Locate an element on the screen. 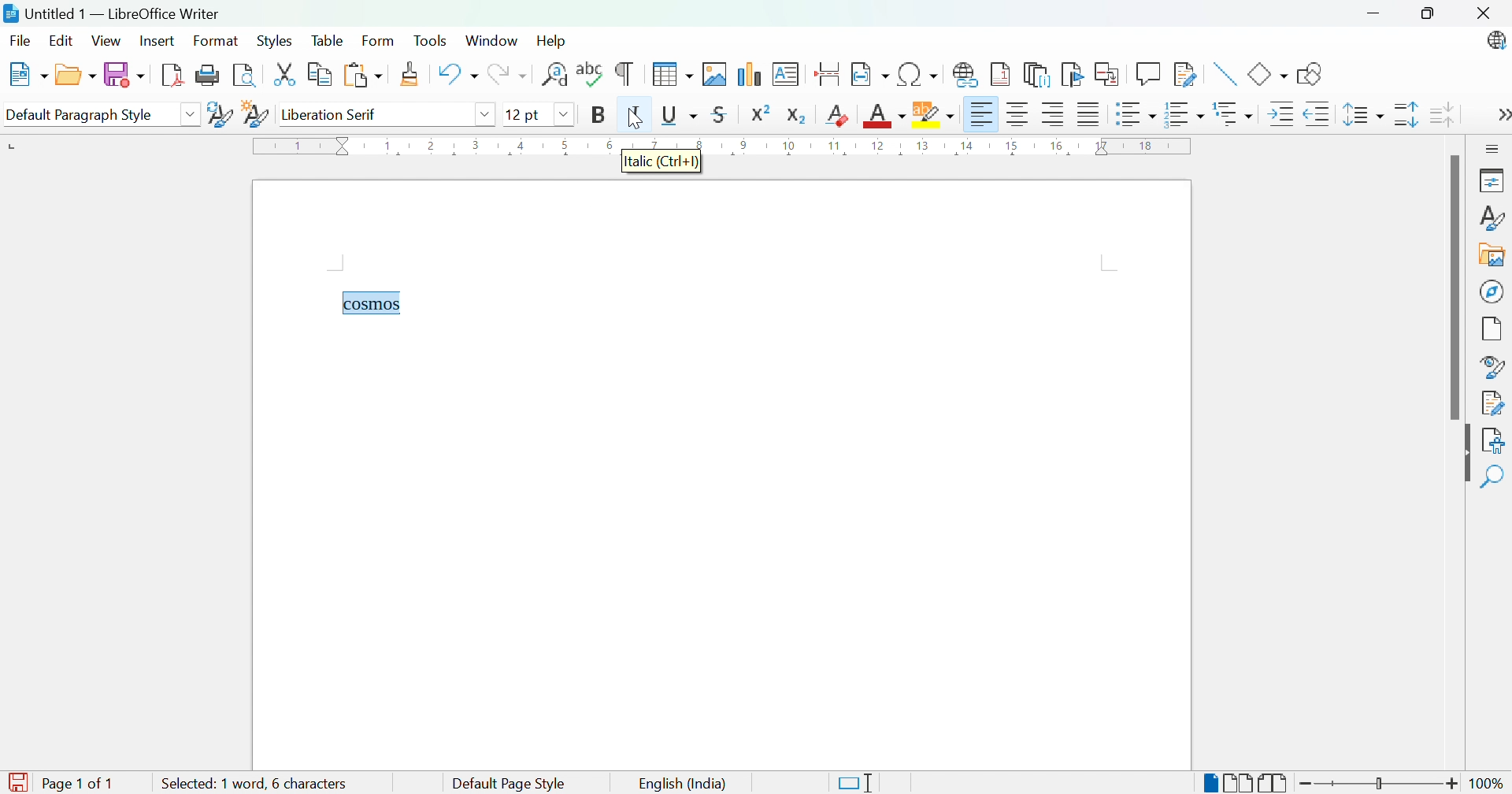 This screenshot has width=1512, height=794. Subscript is located at coordinates (798, 117).